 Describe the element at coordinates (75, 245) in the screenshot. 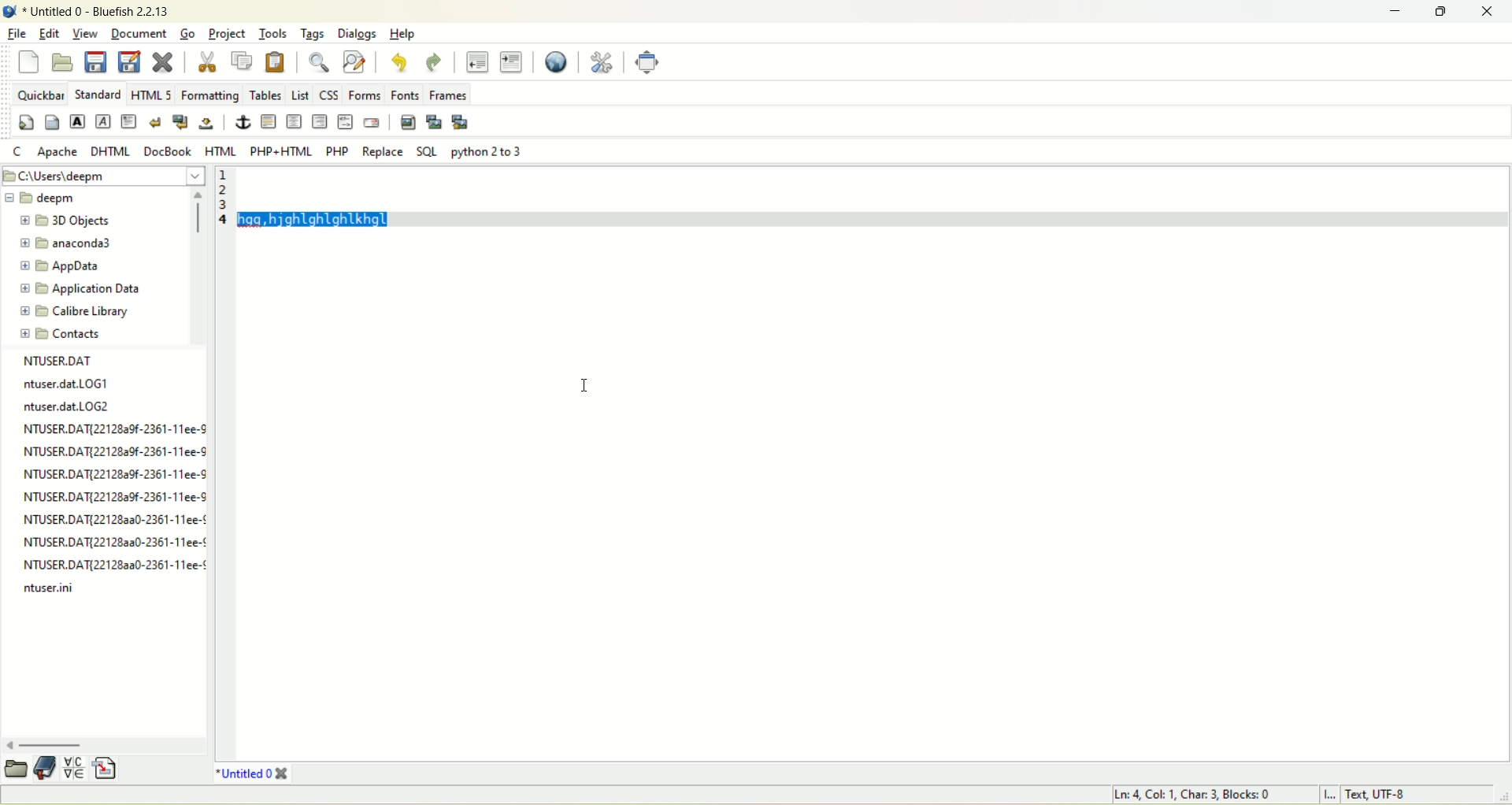

I see `folder name` at that location.